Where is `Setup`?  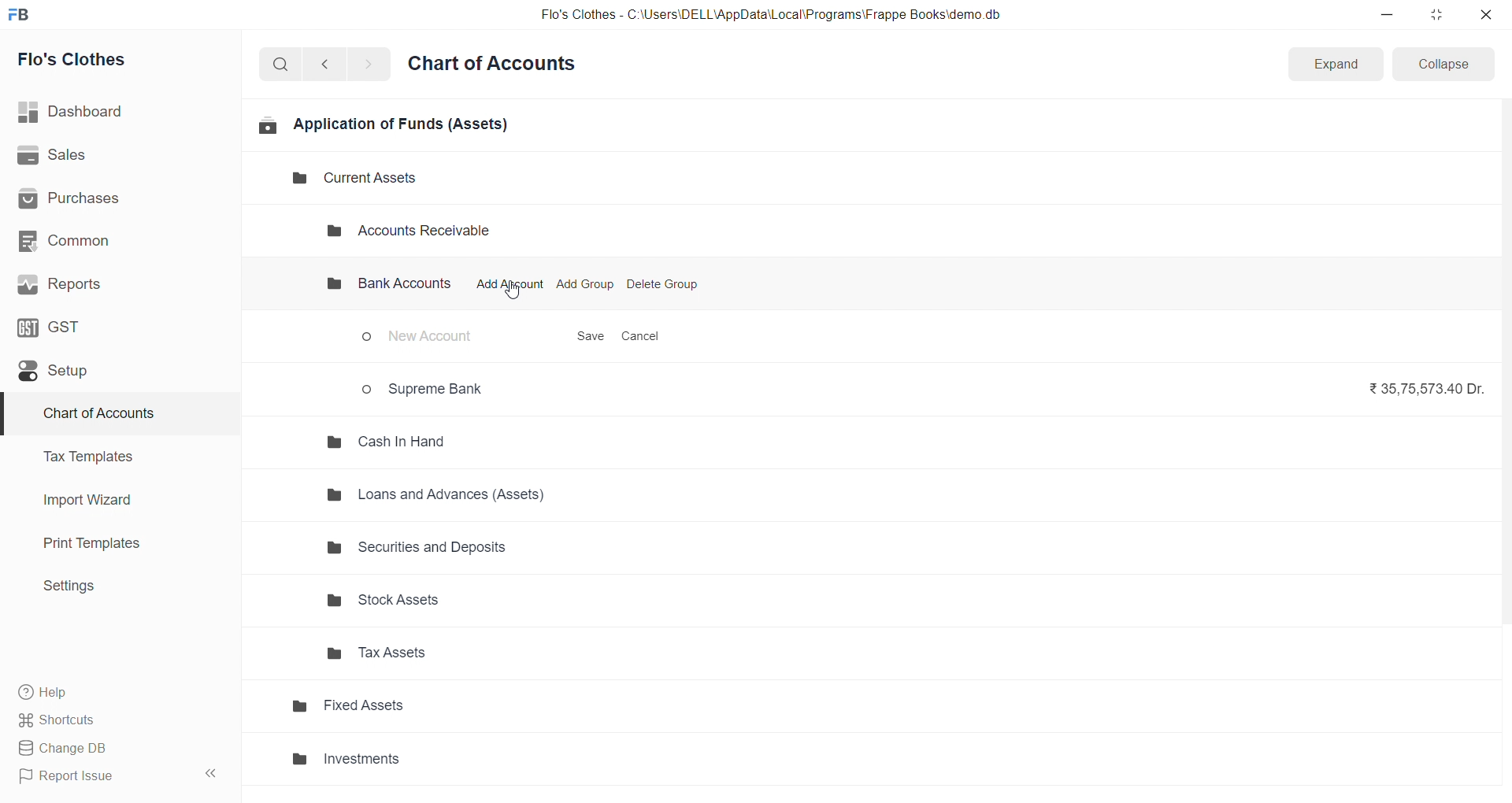
Setup is located at coordinates (113, 370).